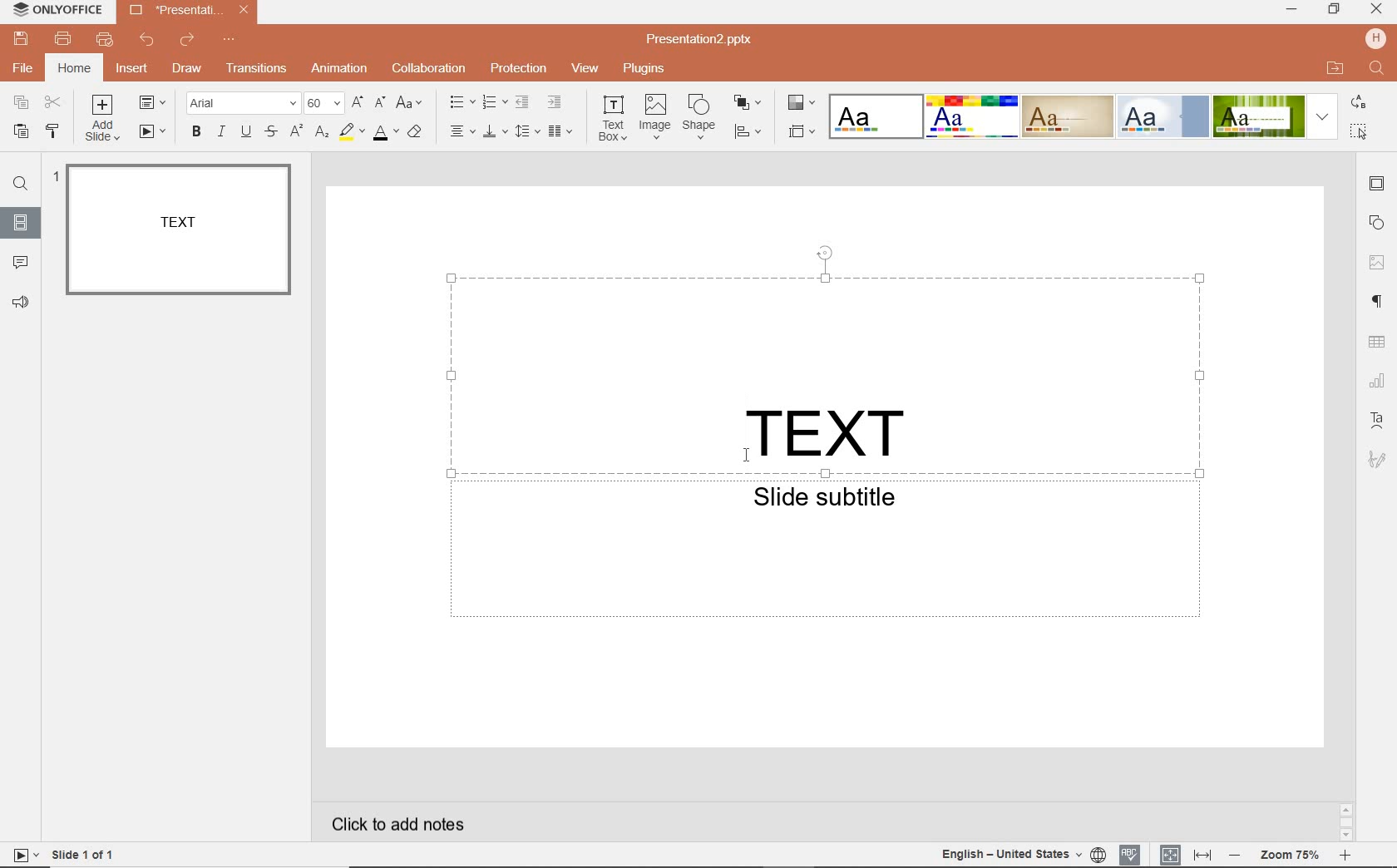 The height and width of the screenshot is (868, 1397). Describe the element at coordinates (1360, 104) in the screenshot. I see `replace` at that location.